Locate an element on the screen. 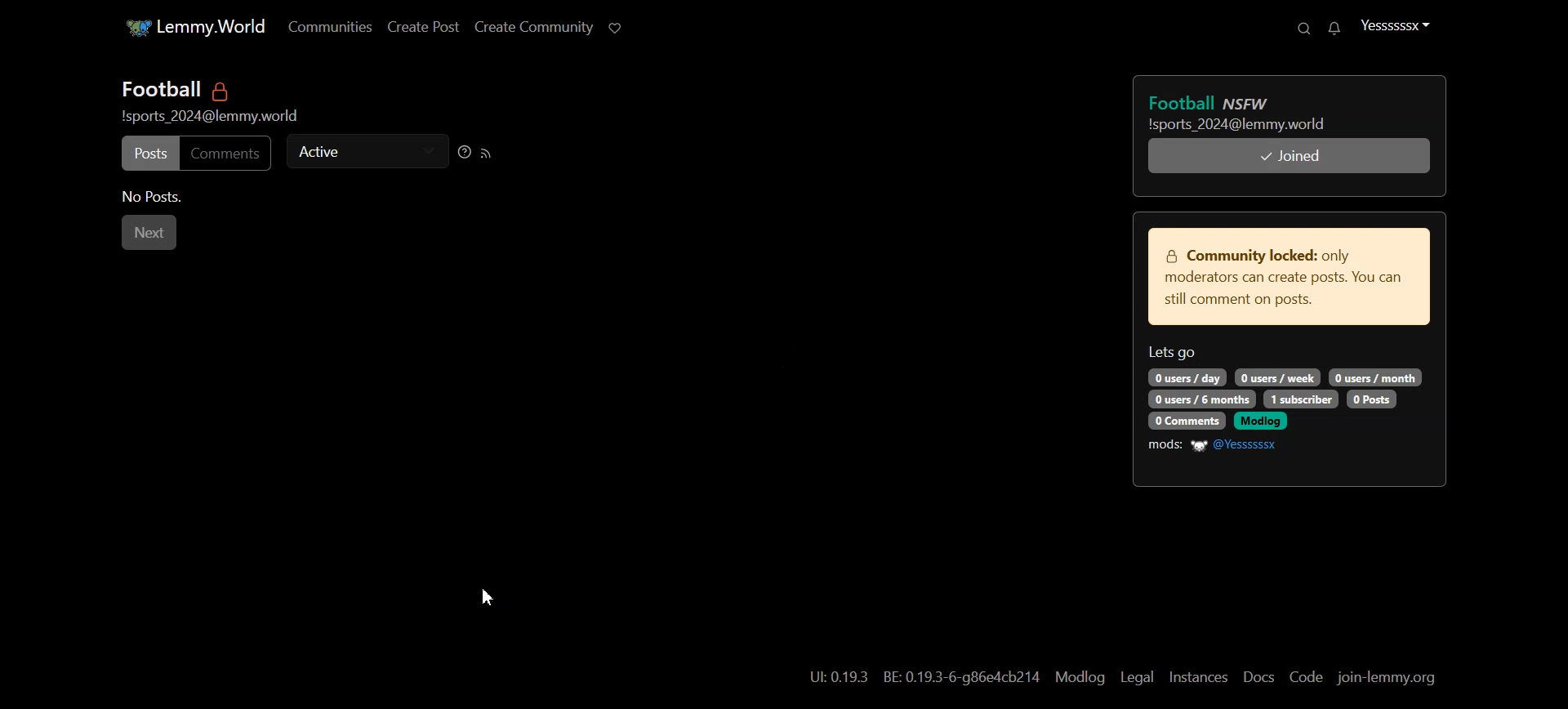  text is located at coordinates (1279, 375).